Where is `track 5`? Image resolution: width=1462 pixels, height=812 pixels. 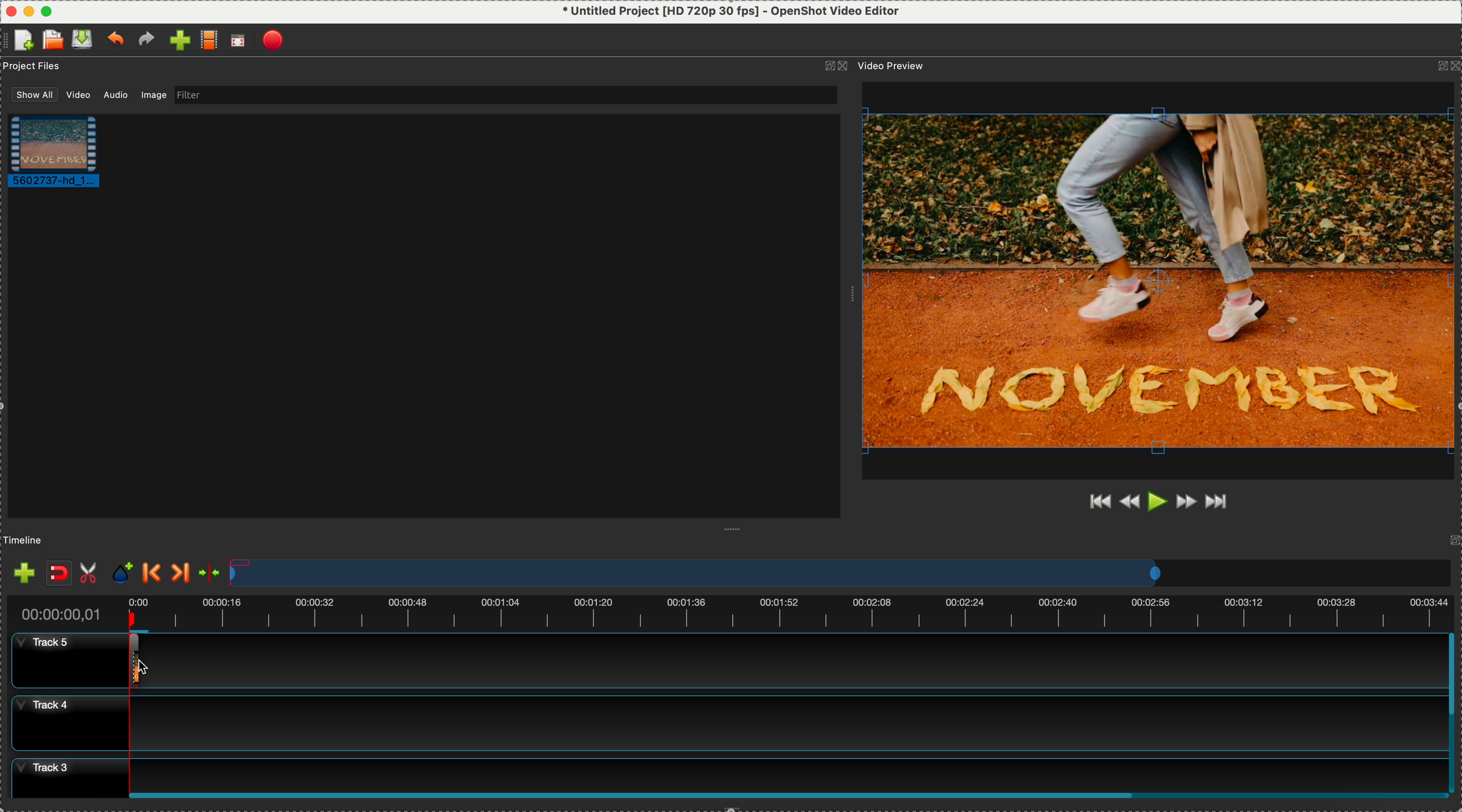
track 5 is located at coordinates (725, 660).